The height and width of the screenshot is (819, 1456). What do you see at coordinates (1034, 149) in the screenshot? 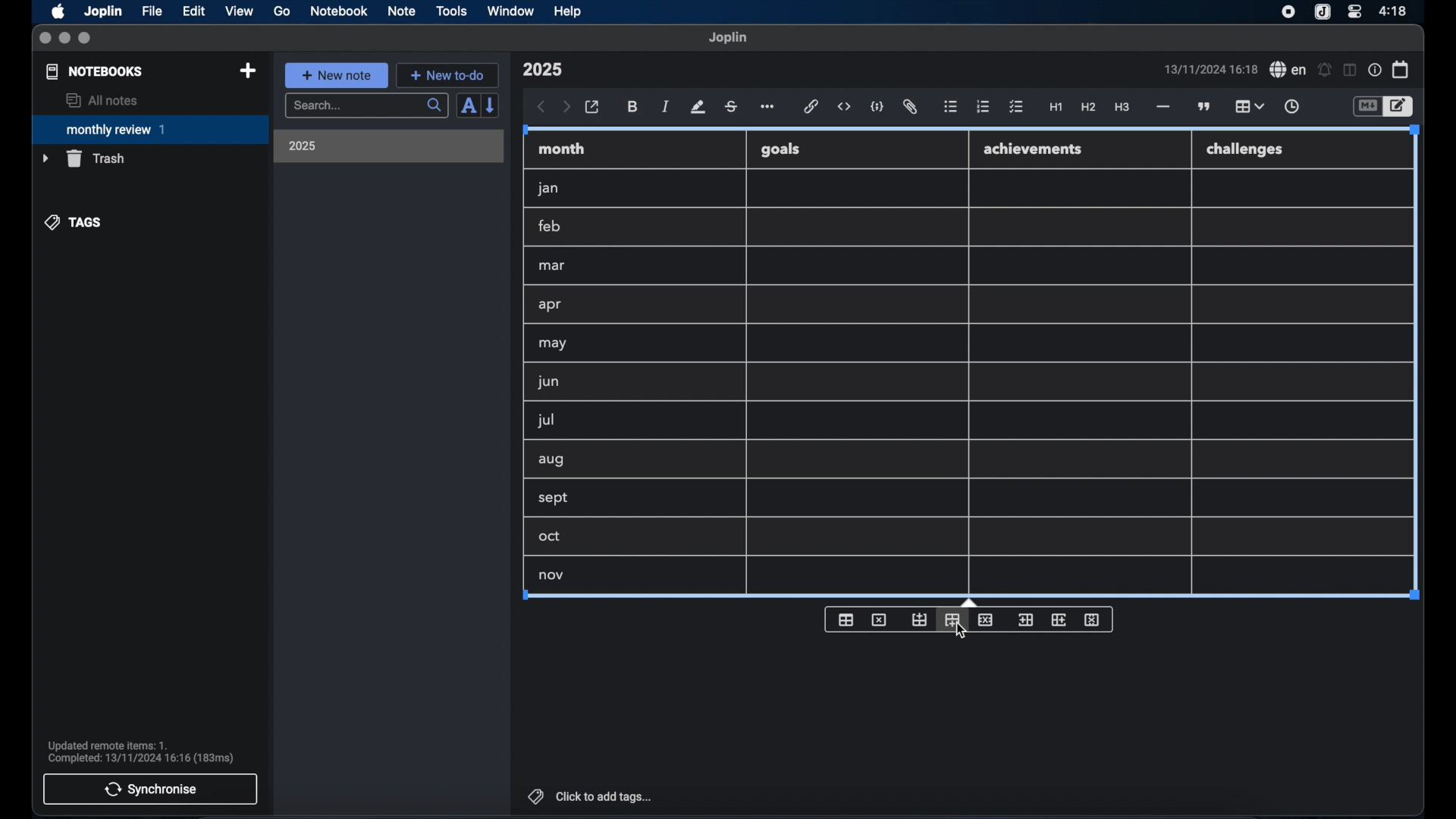
I see `achievements` at bounding box center [1034, 149].